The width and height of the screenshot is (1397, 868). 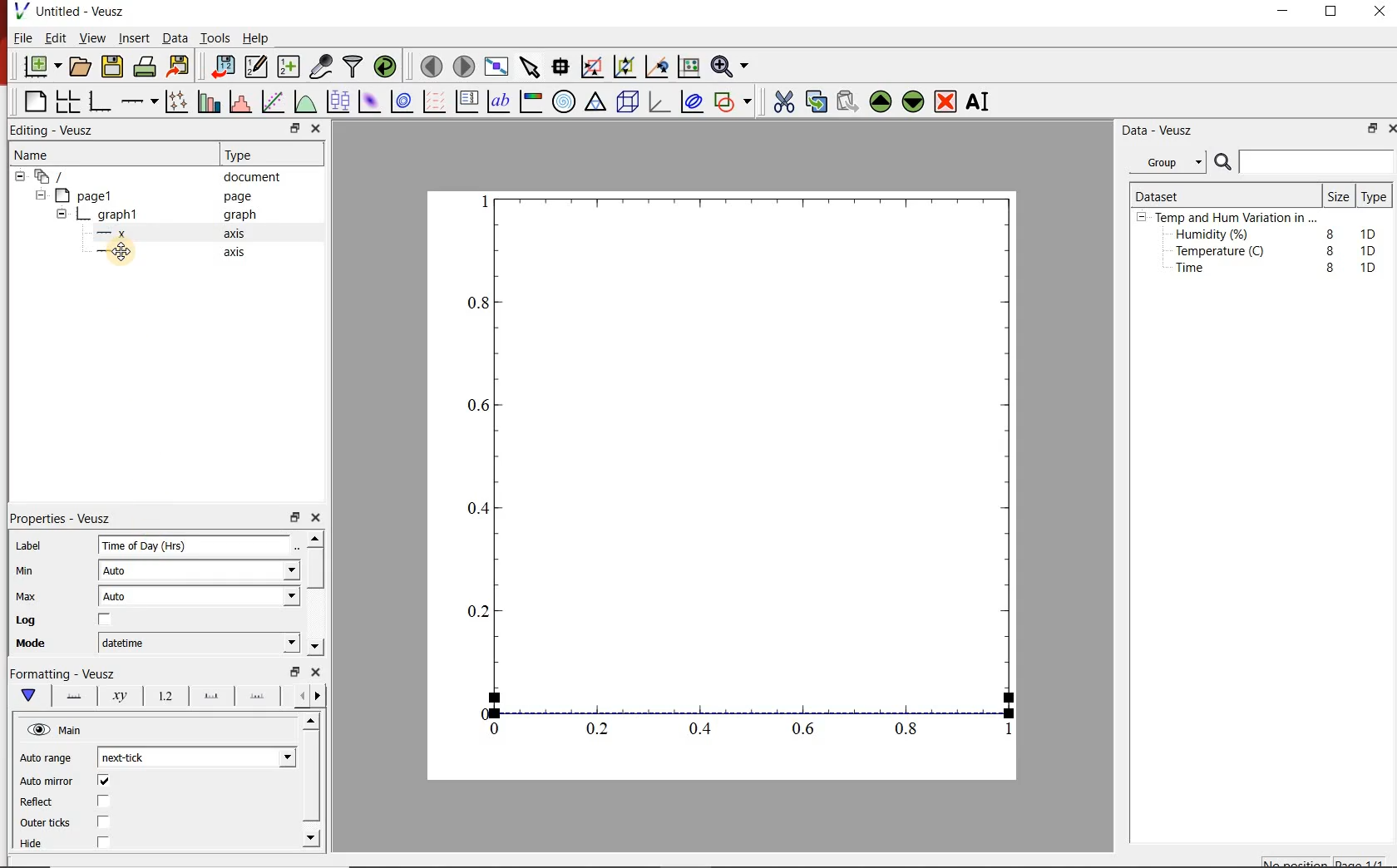 I want to click on restore down, so click(x=292, y=672).